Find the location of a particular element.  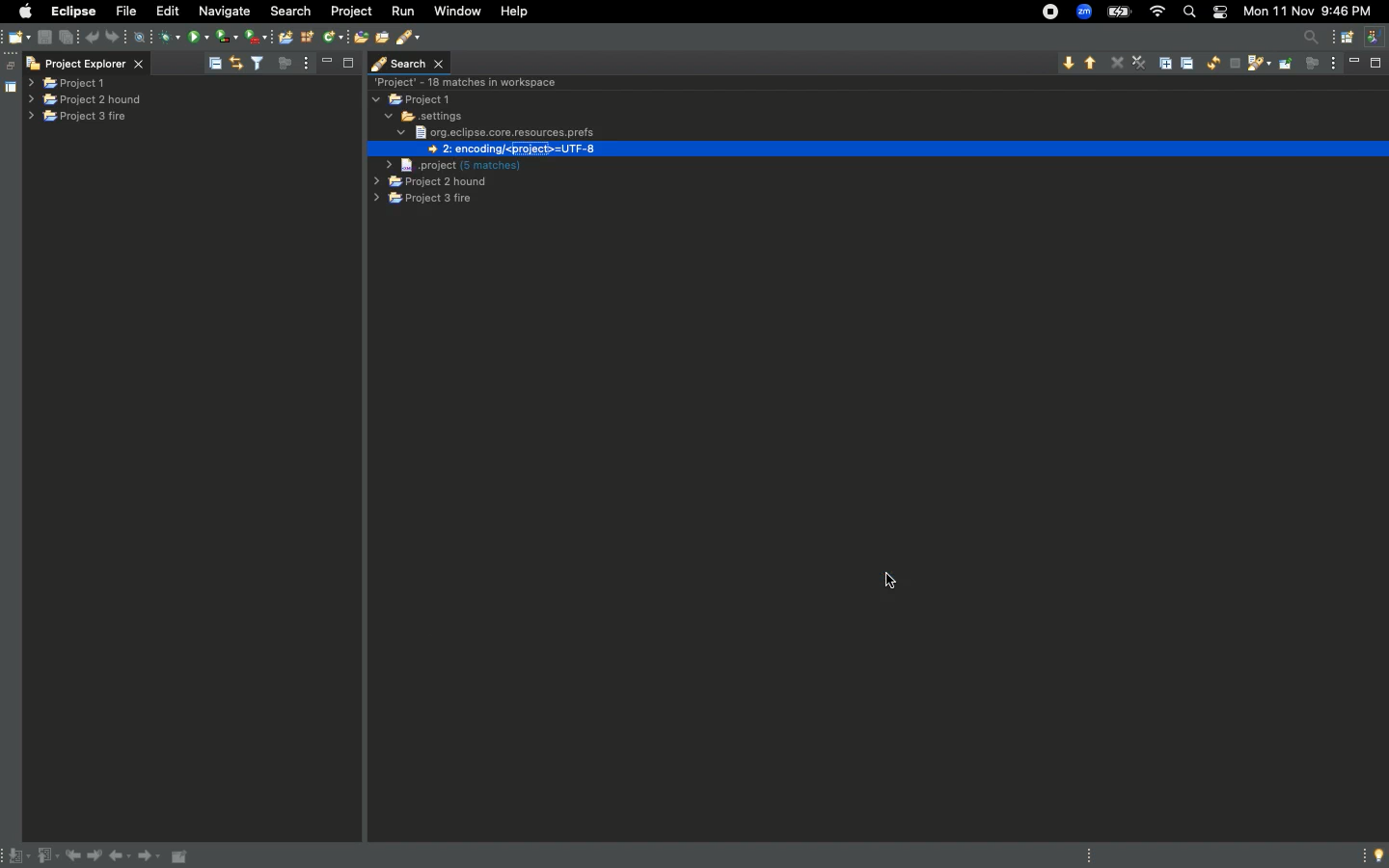

Forward is located at coordinates (150, 858).